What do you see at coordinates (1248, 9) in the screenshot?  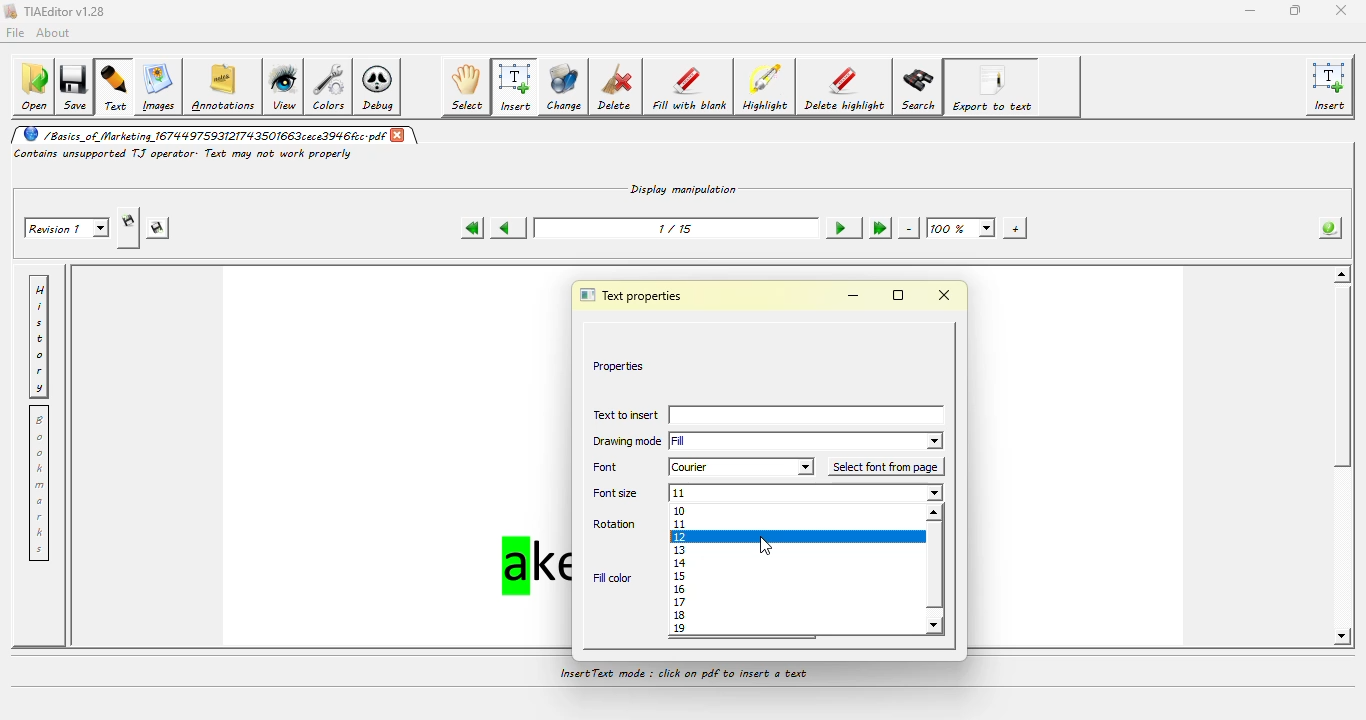 I see `minimize` at bounding box center [1248, 9].